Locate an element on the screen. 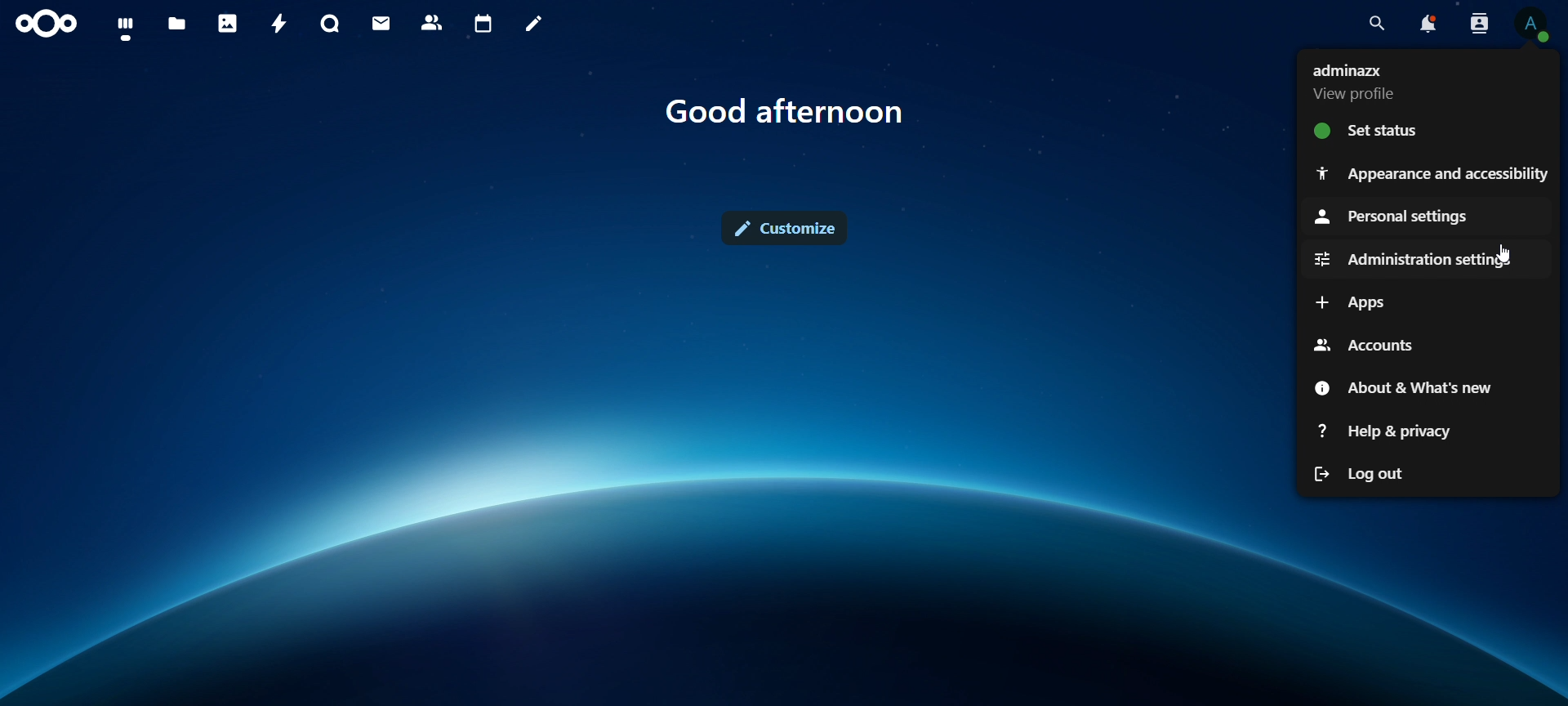  calendar is located at coordinates (482, 25).